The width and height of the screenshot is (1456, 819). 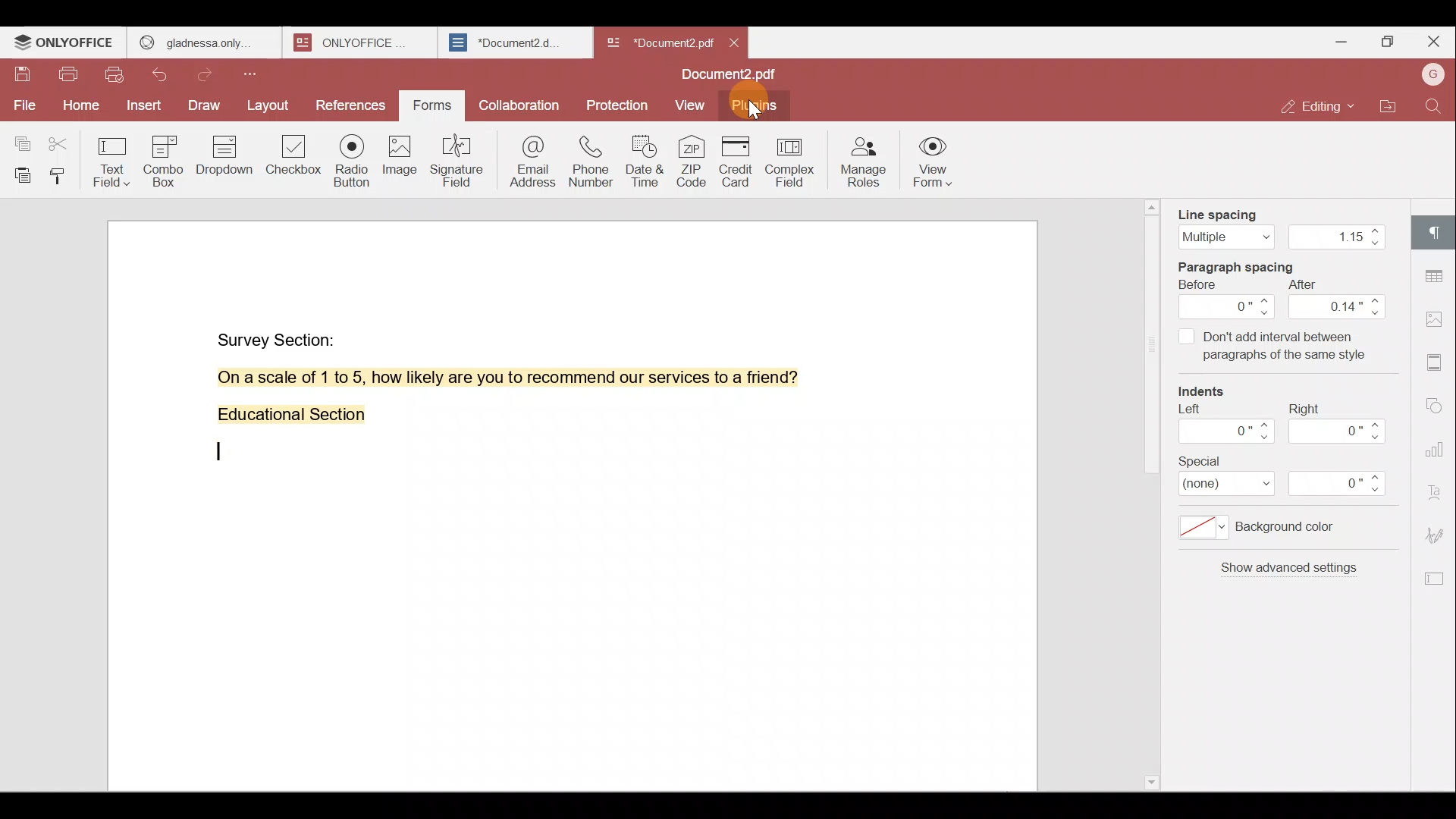 What do you see at coordinates (295, 160) in the screenshot?
I see `Checkbox` at bounding box center [295, 160].